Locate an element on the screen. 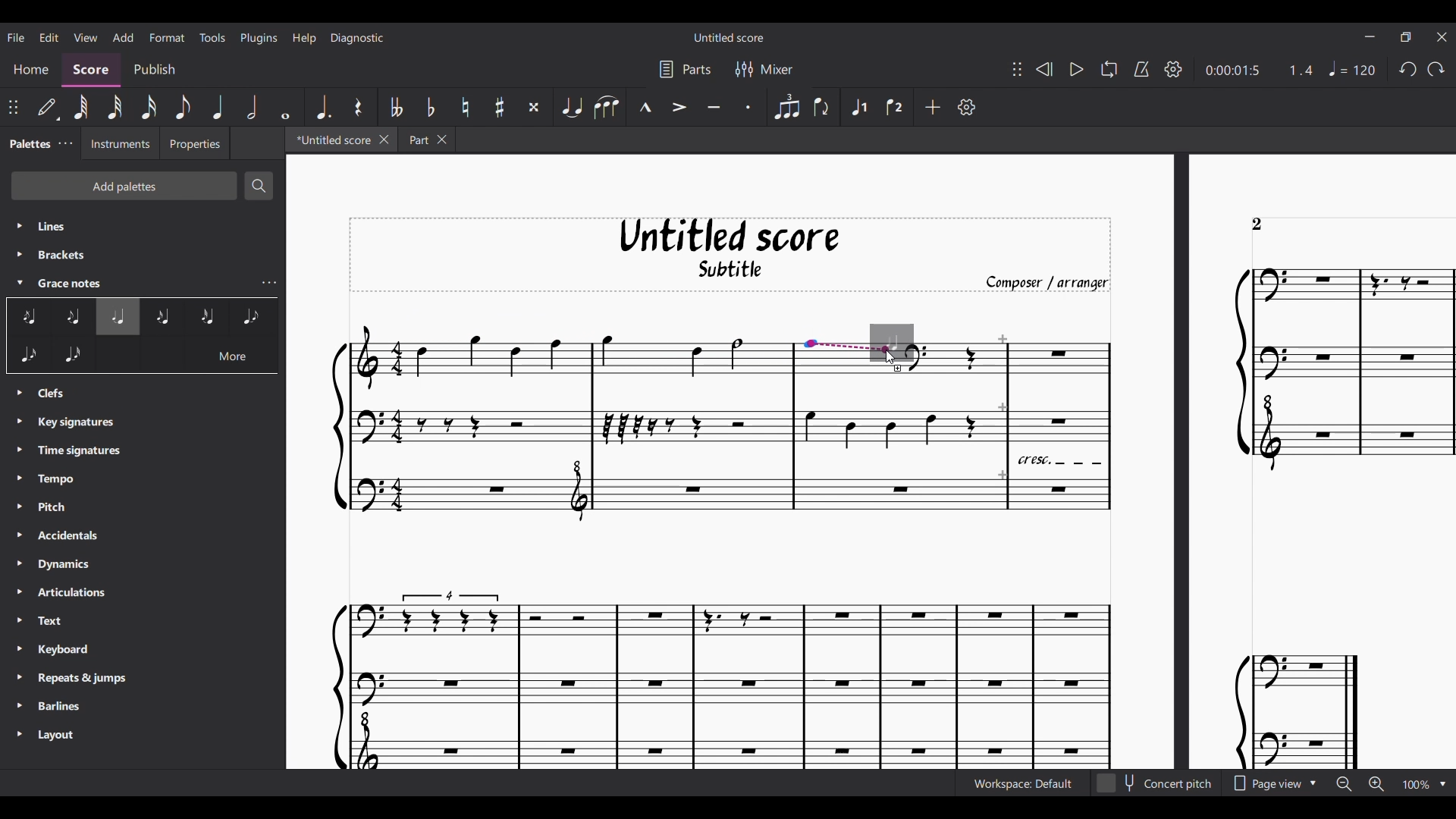 This screenshot has width=1456, height=819. Selected grace note highlighted is located at coordinates (118, 317).